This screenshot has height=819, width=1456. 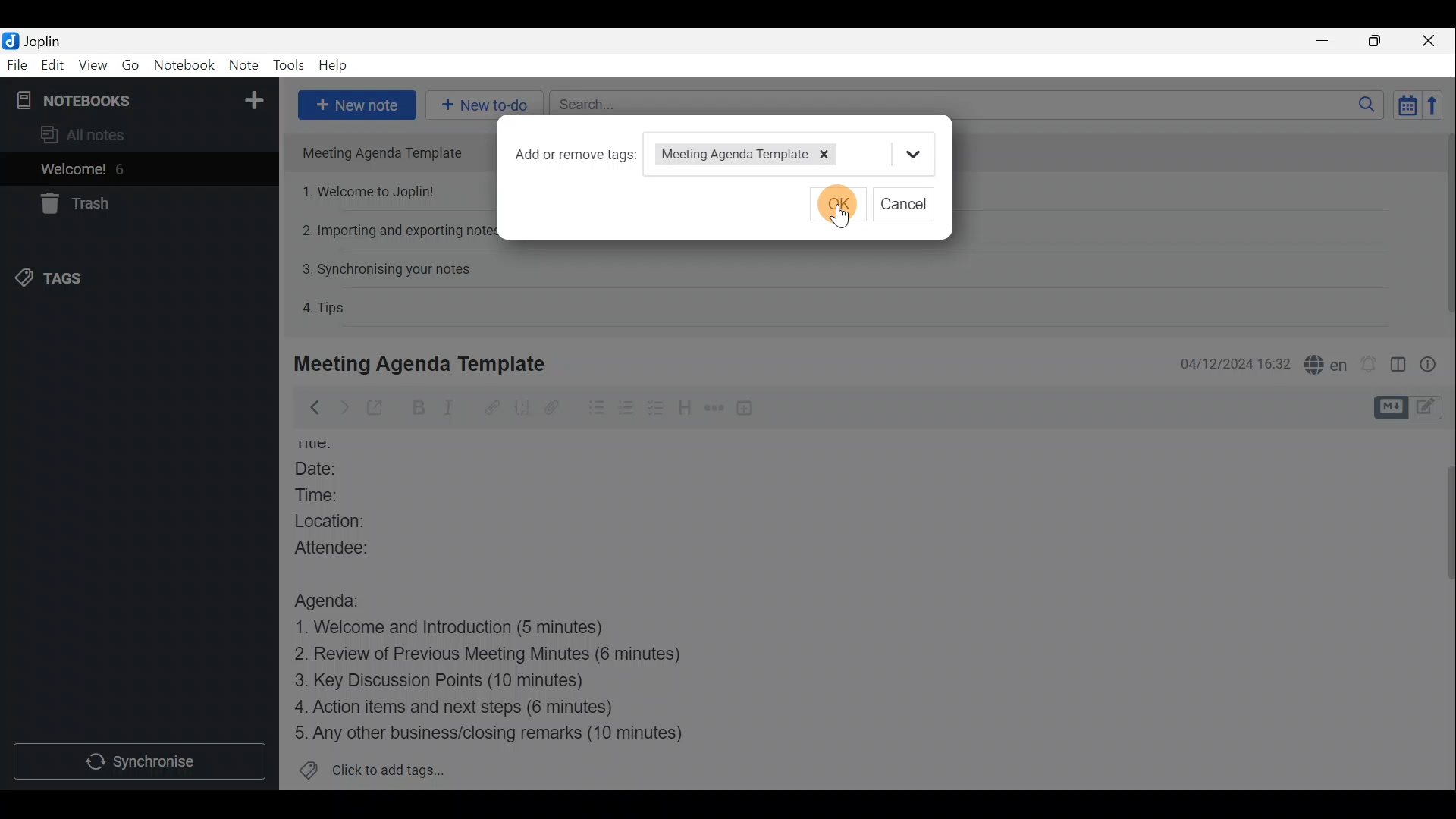 What do you see at coordinates (576, 155) in the screenshot?
I see `Add or remove tags:` at bounding box center [576, 155].